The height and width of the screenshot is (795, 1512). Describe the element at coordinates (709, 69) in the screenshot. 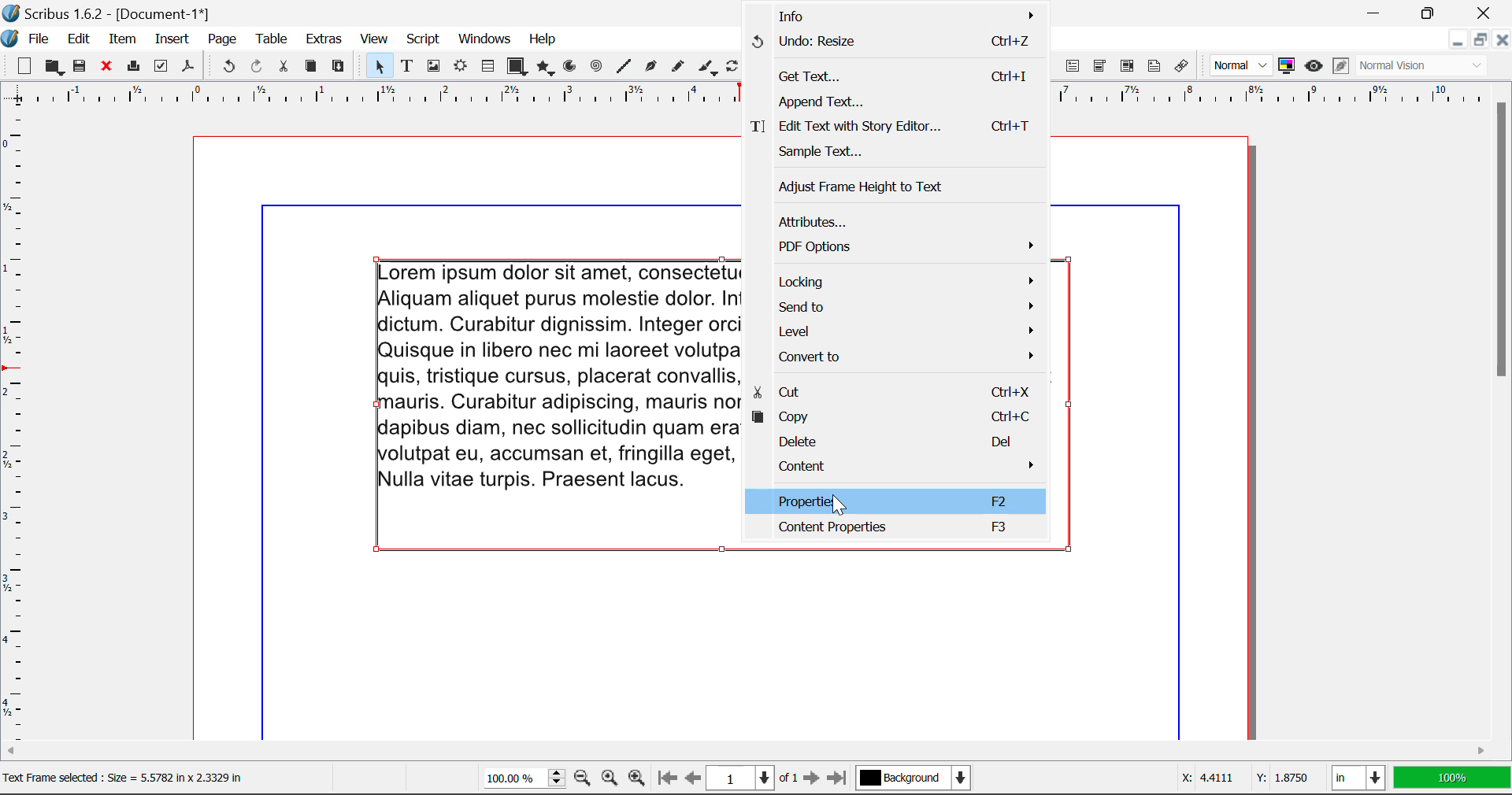

I see `Calligraphic Line` at that location.